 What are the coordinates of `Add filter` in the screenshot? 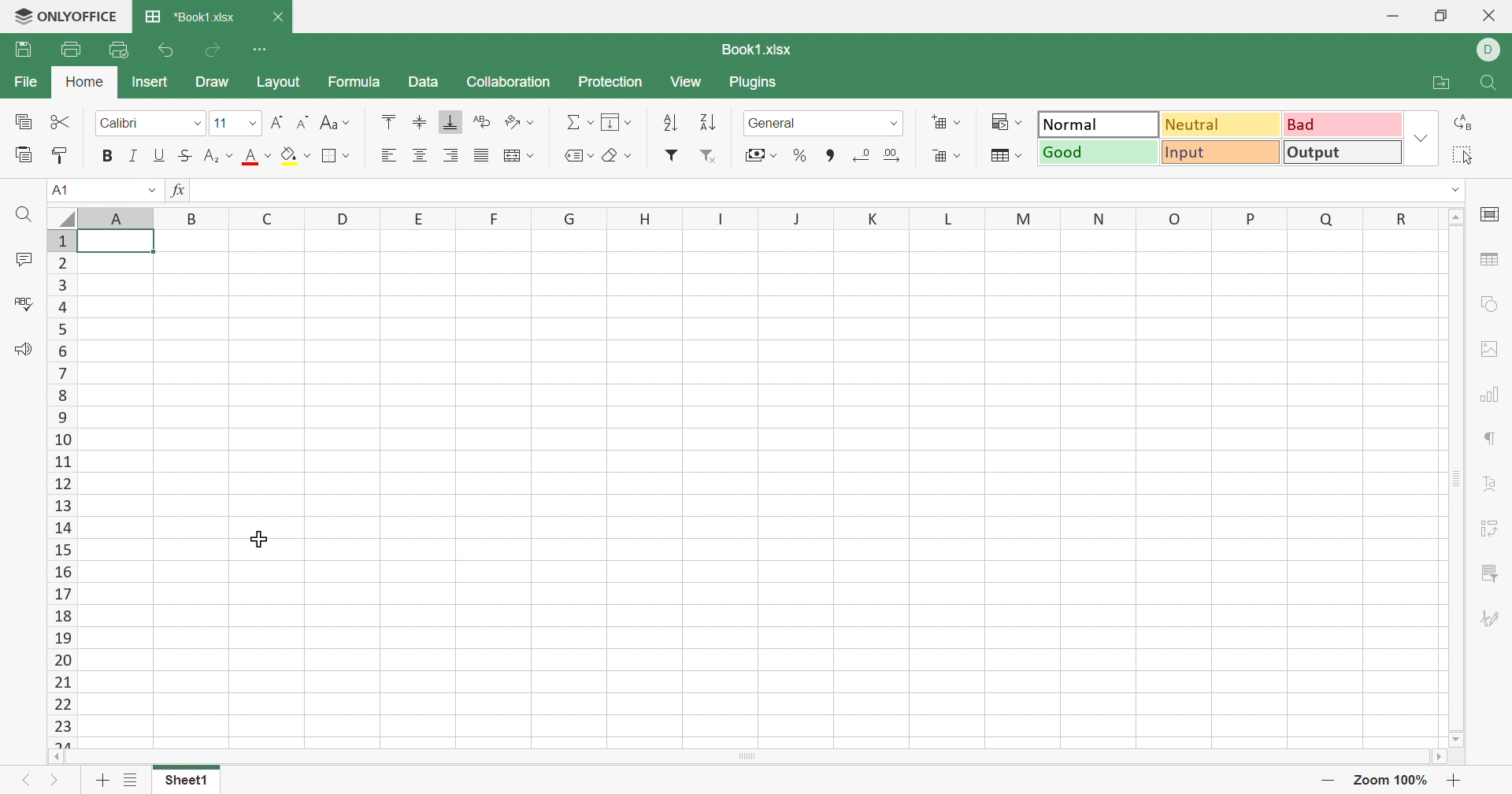 It's located at (673, 154).